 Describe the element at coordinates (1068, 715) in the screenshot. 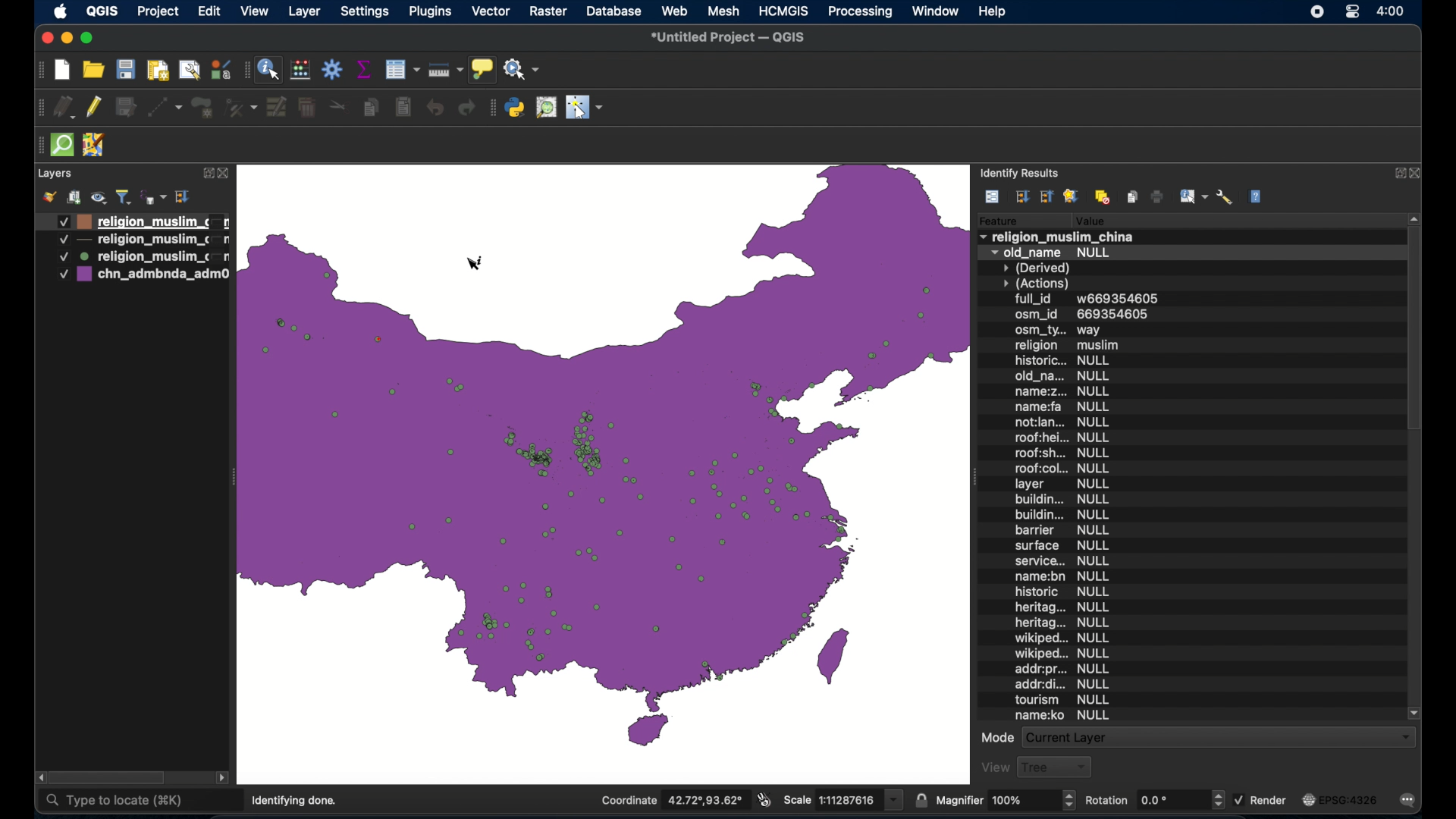

I see `name` at that location.